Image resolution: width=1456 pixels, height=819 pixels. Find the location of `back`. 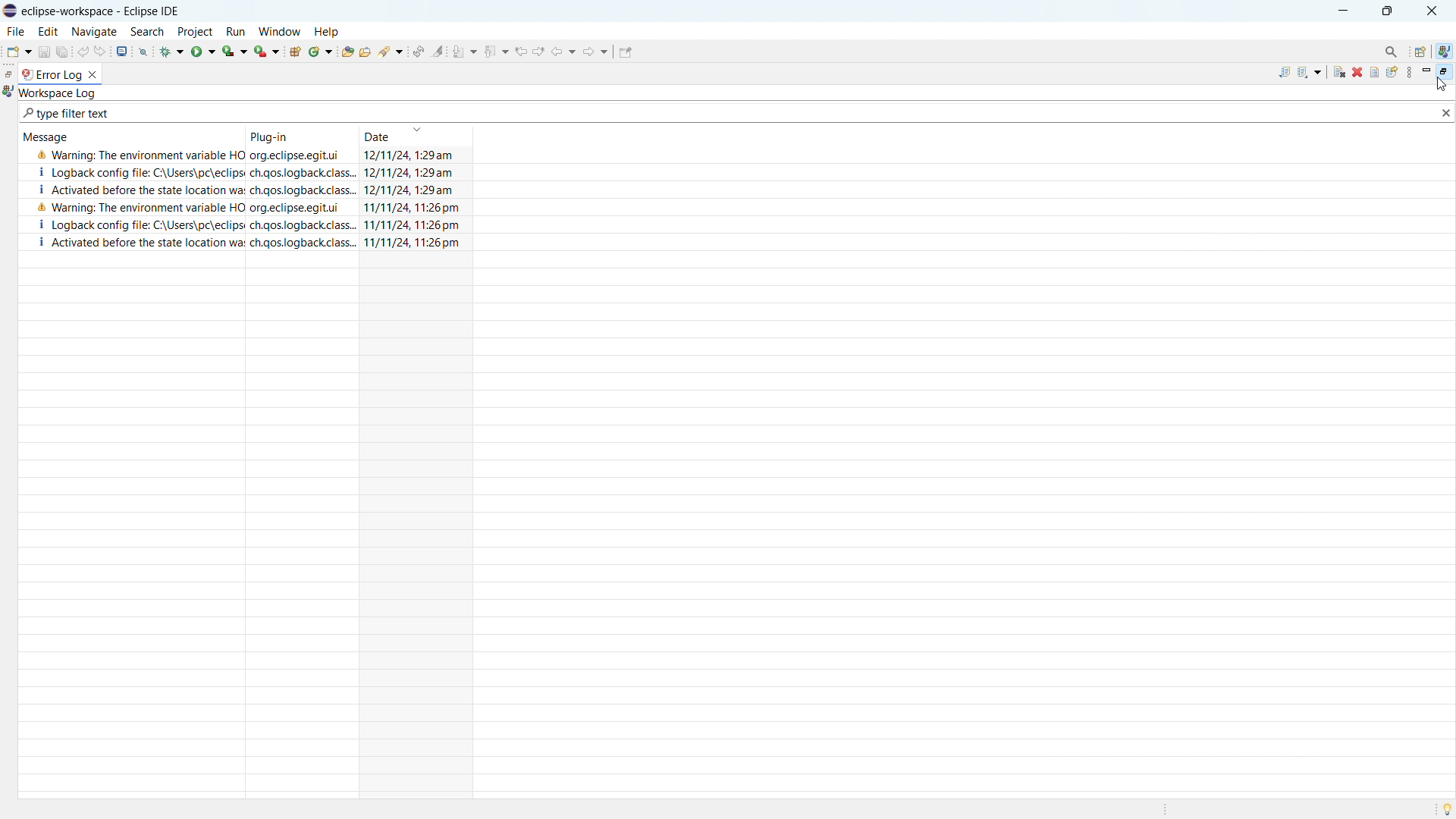

back is located at coordinates (563, 52).